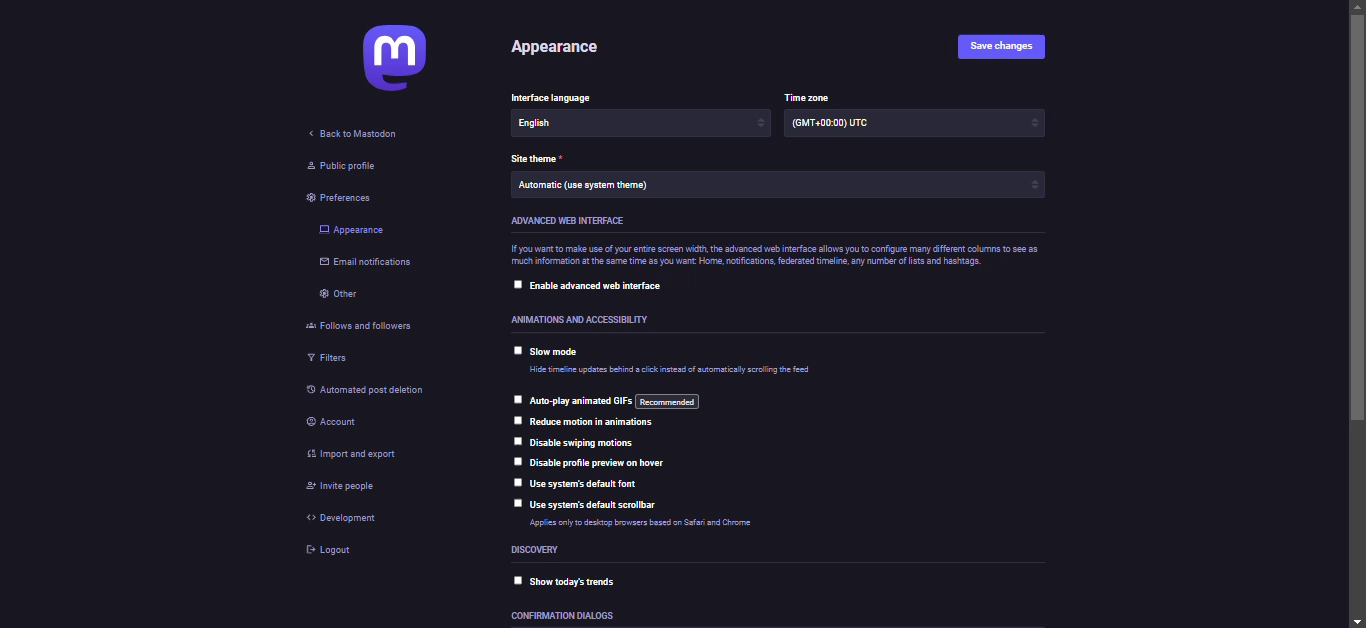 This screenshot has height=628, width=1366. I want to click on use system's default font, so click(591, 484).